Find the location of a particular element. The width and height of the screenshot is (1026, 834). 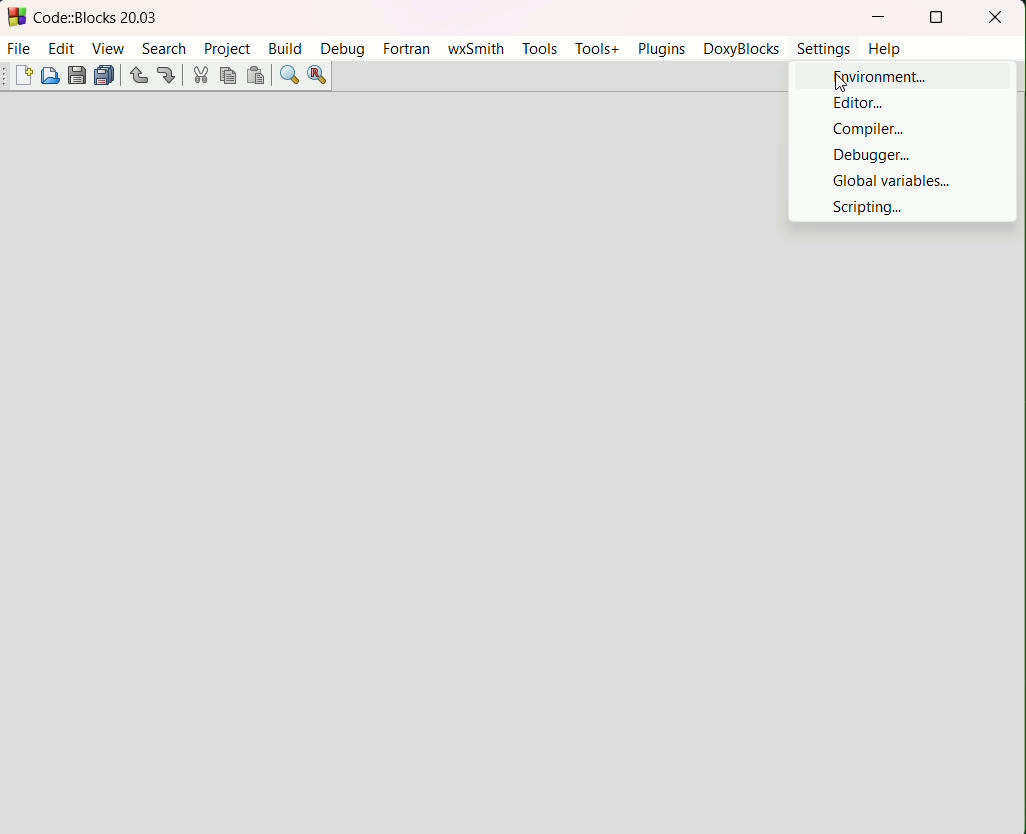

cut is located at coordinates (199, 77).